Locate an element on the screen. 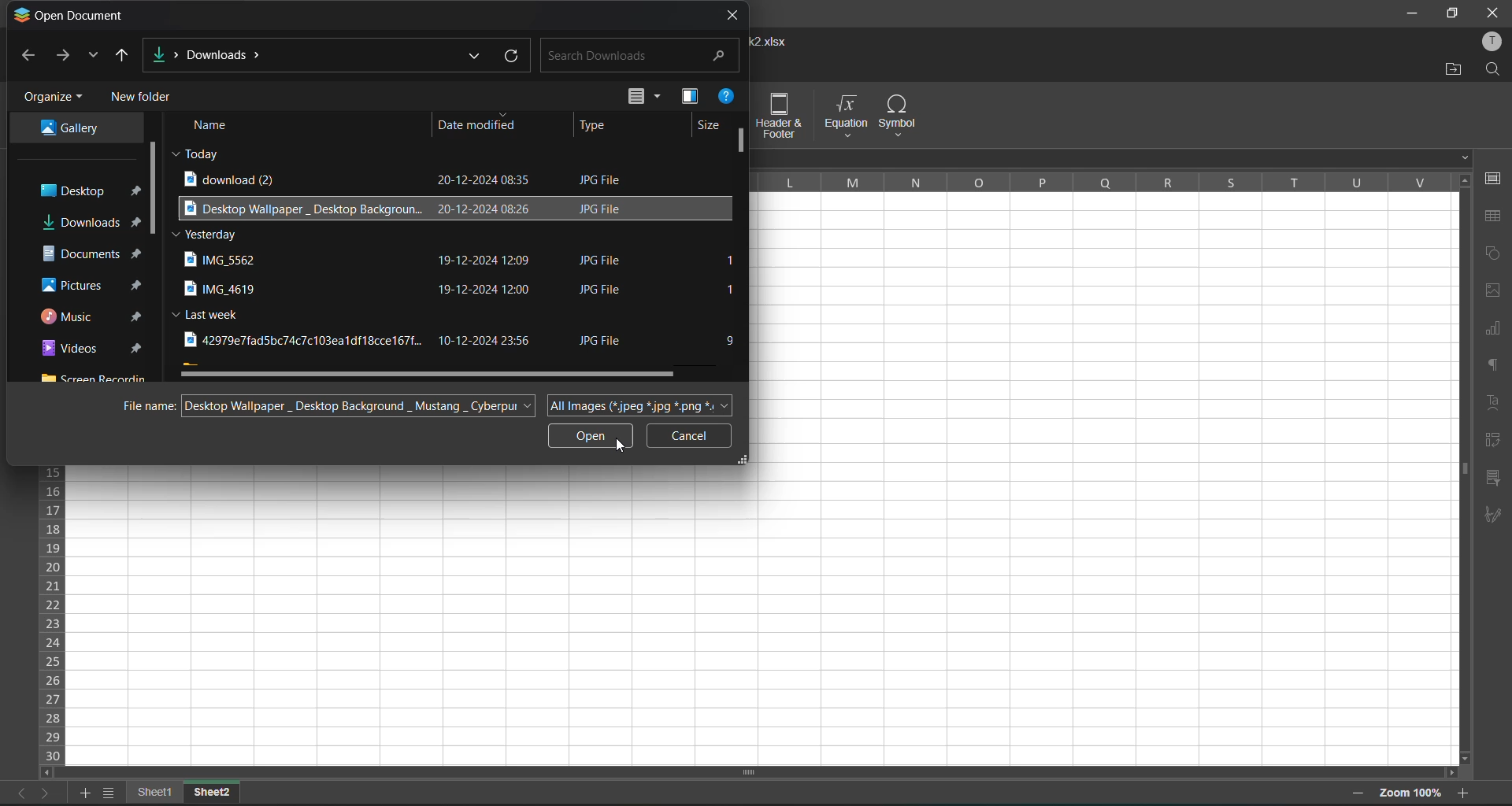  text is located at coordinates (1495, 404).